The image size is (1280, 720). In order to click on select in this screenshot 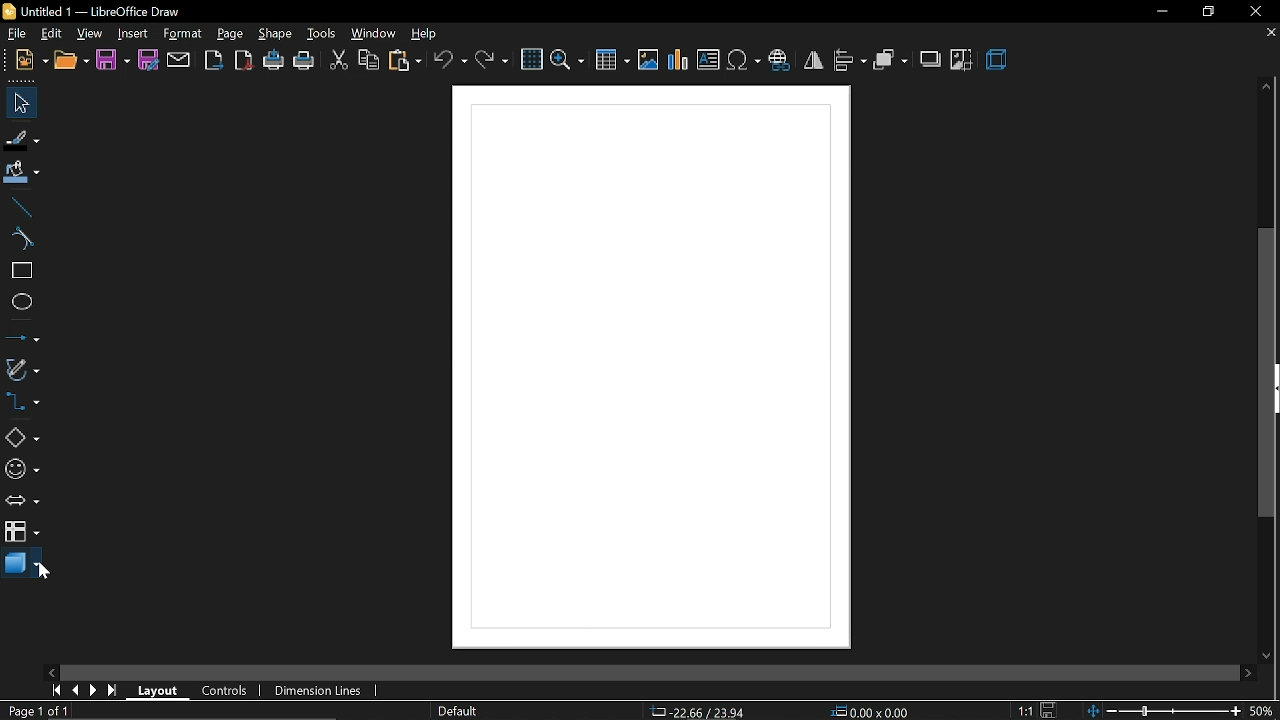, I will do `click(18, 102)`.